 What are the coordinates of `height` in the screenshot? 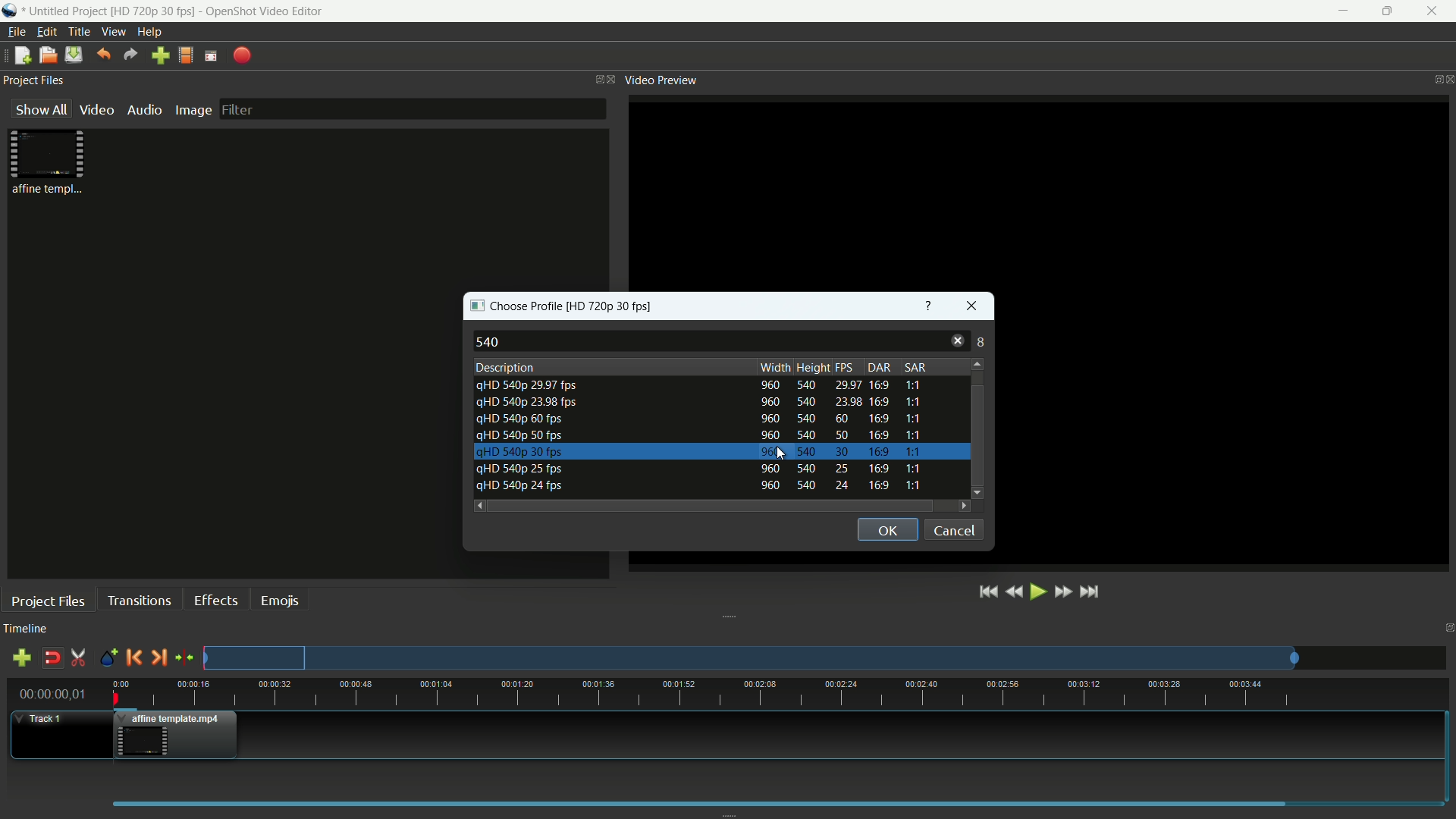 It's located at (813, 367).